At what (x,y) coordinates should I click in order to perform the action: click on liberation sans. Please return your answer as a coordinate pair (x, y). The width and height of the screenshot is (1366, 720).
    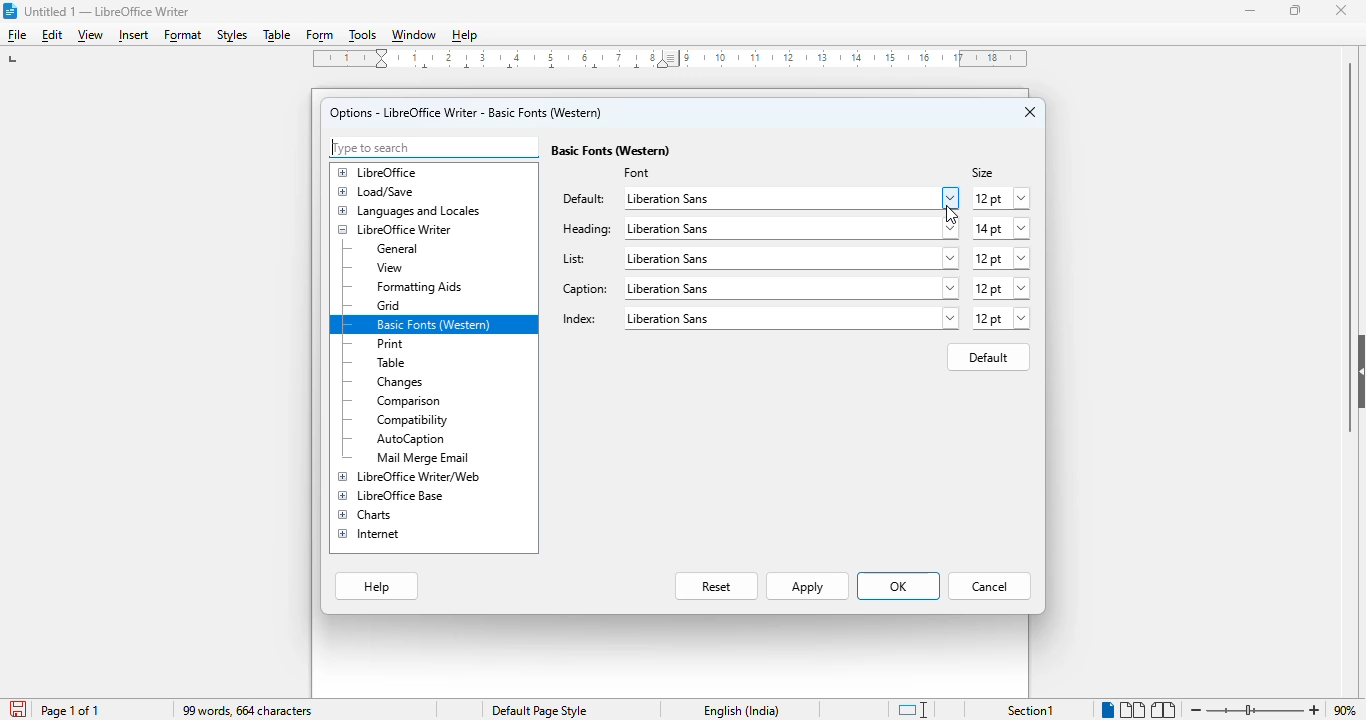
    Looking at the image, I should click on (757, 199).